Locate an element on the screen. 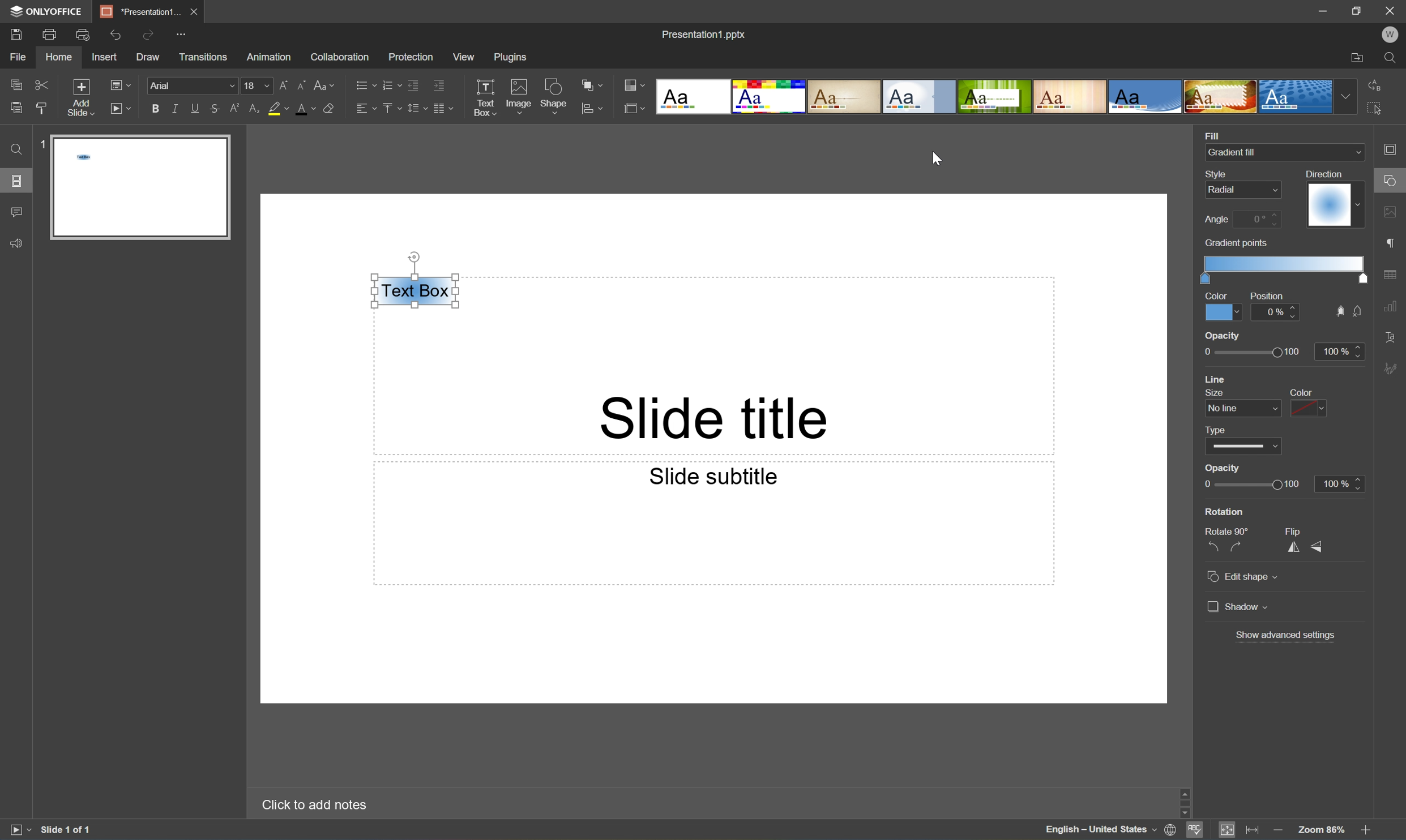 The width and height of the screenshot is (1406, 840). Drop Down is located at coordinates (1343, 96).